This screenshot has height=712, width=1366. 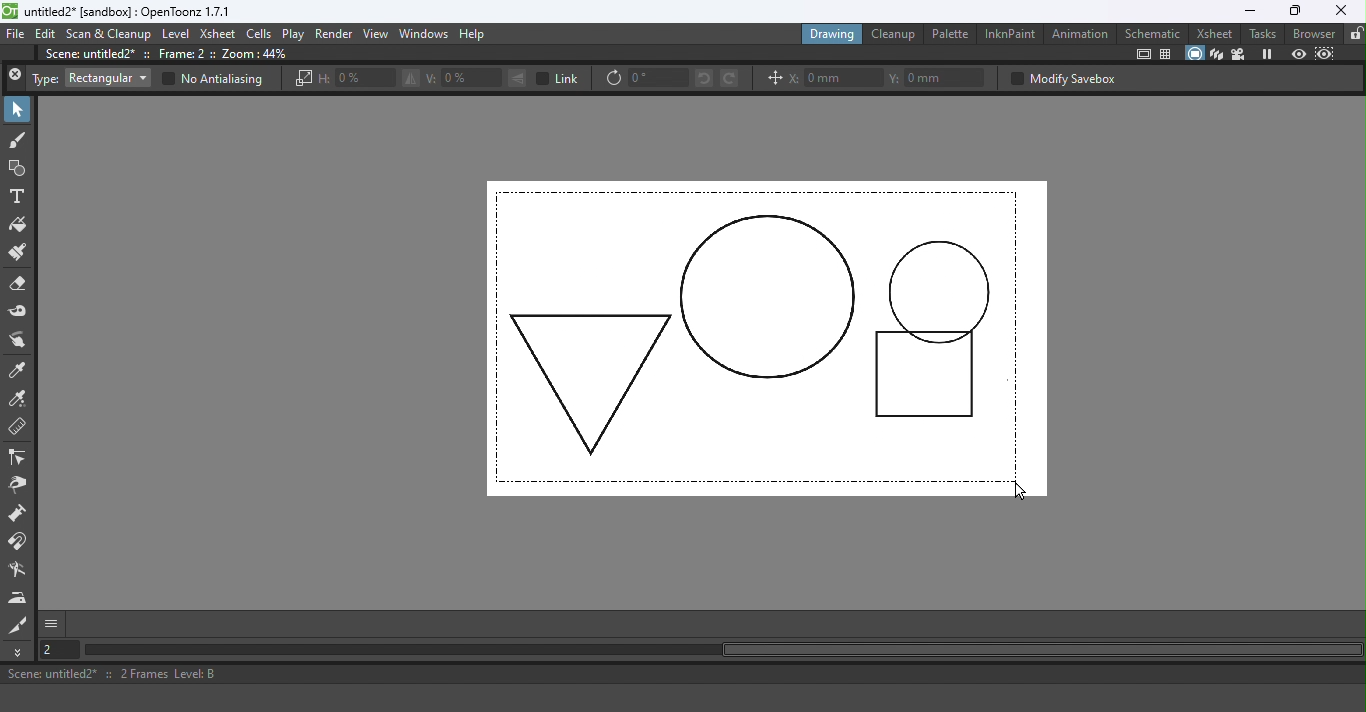 What do you see at coordinates (18, 515) in the screenshot?
I see `Pump tool` at bounding box center [18, 515].